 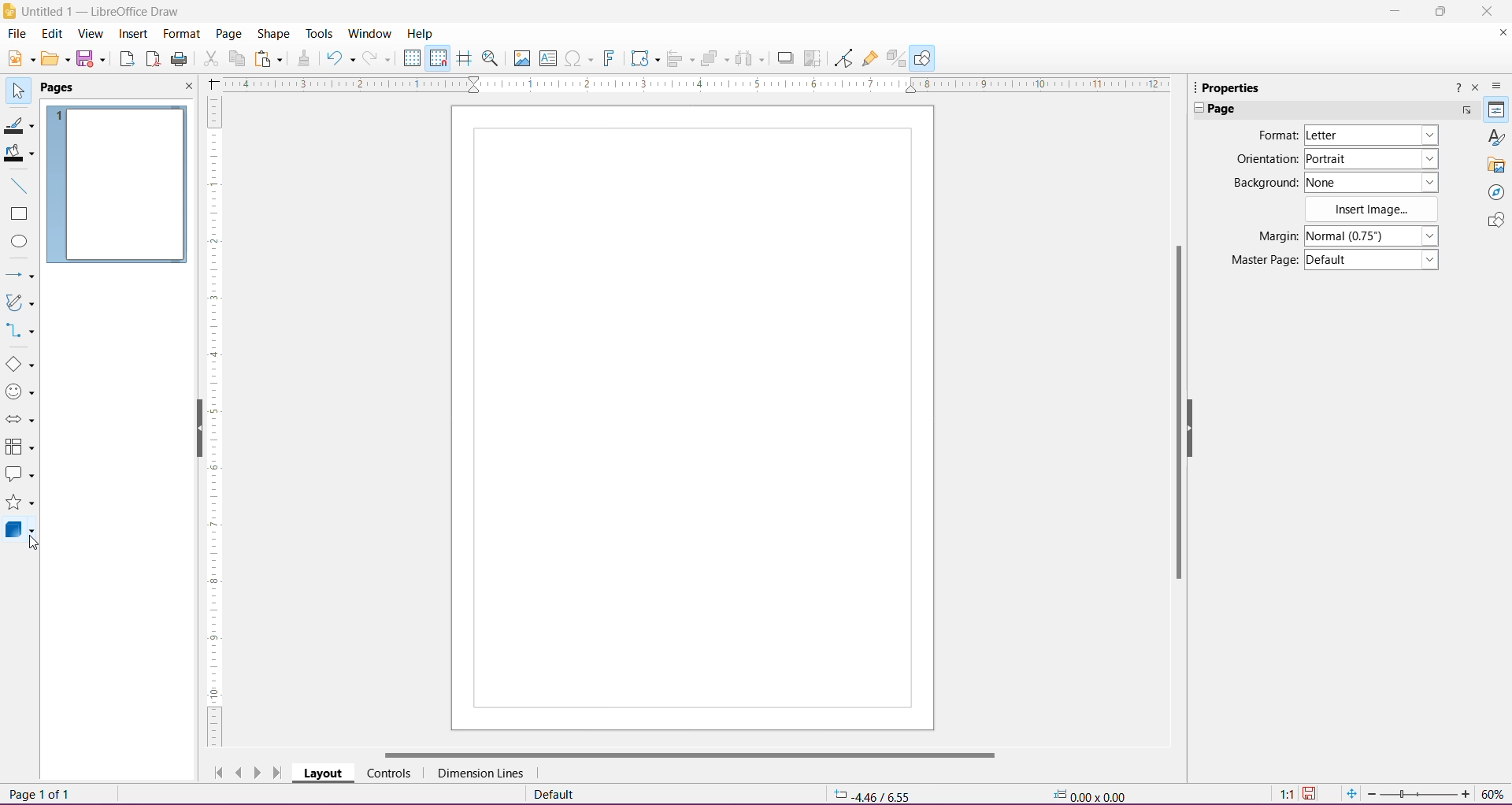 I want to click on Connectors, so click(x=21, y=332).